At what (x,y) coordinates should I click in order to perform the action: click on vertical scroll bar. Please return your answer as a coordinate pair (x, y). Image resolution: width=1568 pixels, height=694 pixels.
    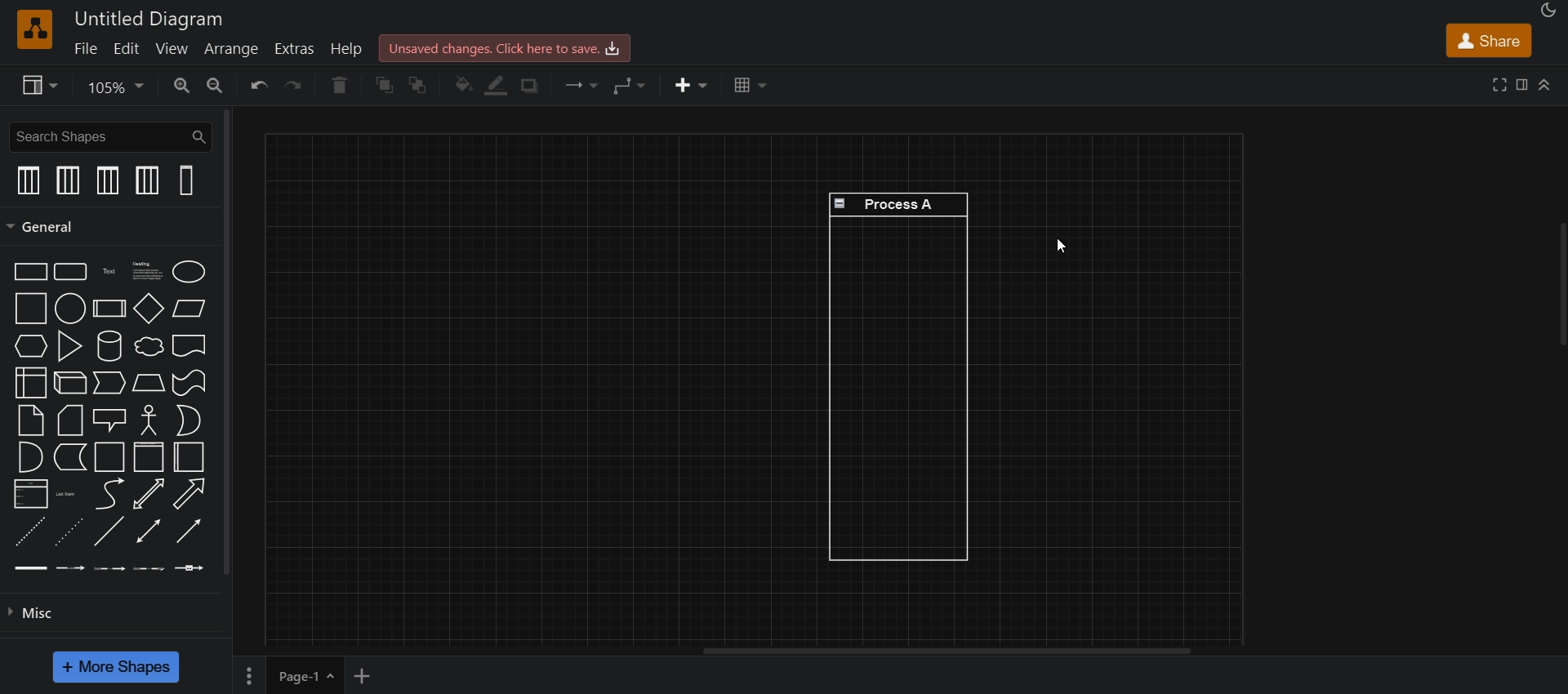
    Looking at the image, I should click on (233, 342).